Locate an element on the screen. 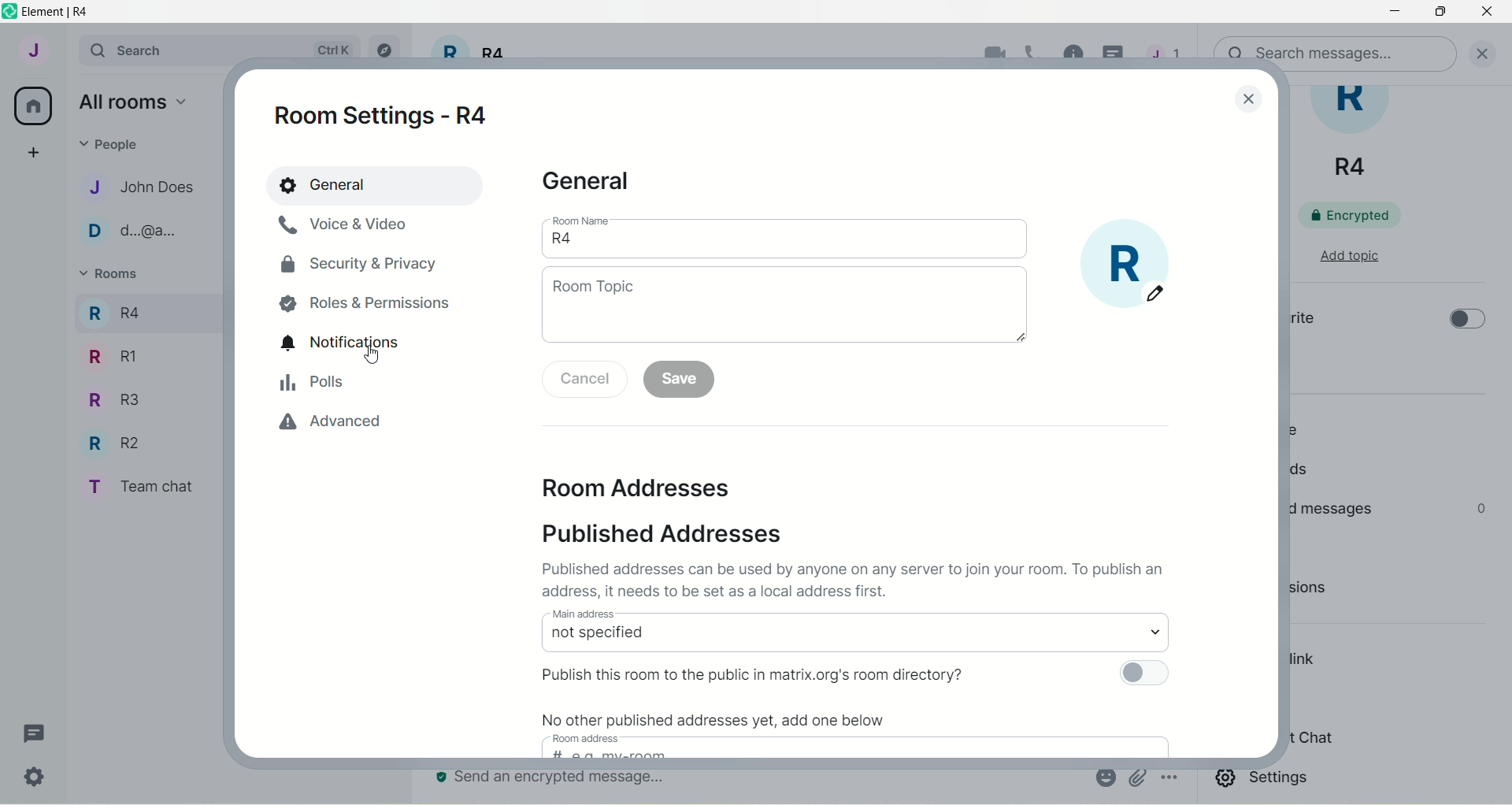 This screenshot has height=805, width=1512. R R2 is located at coordinates (109, 440).